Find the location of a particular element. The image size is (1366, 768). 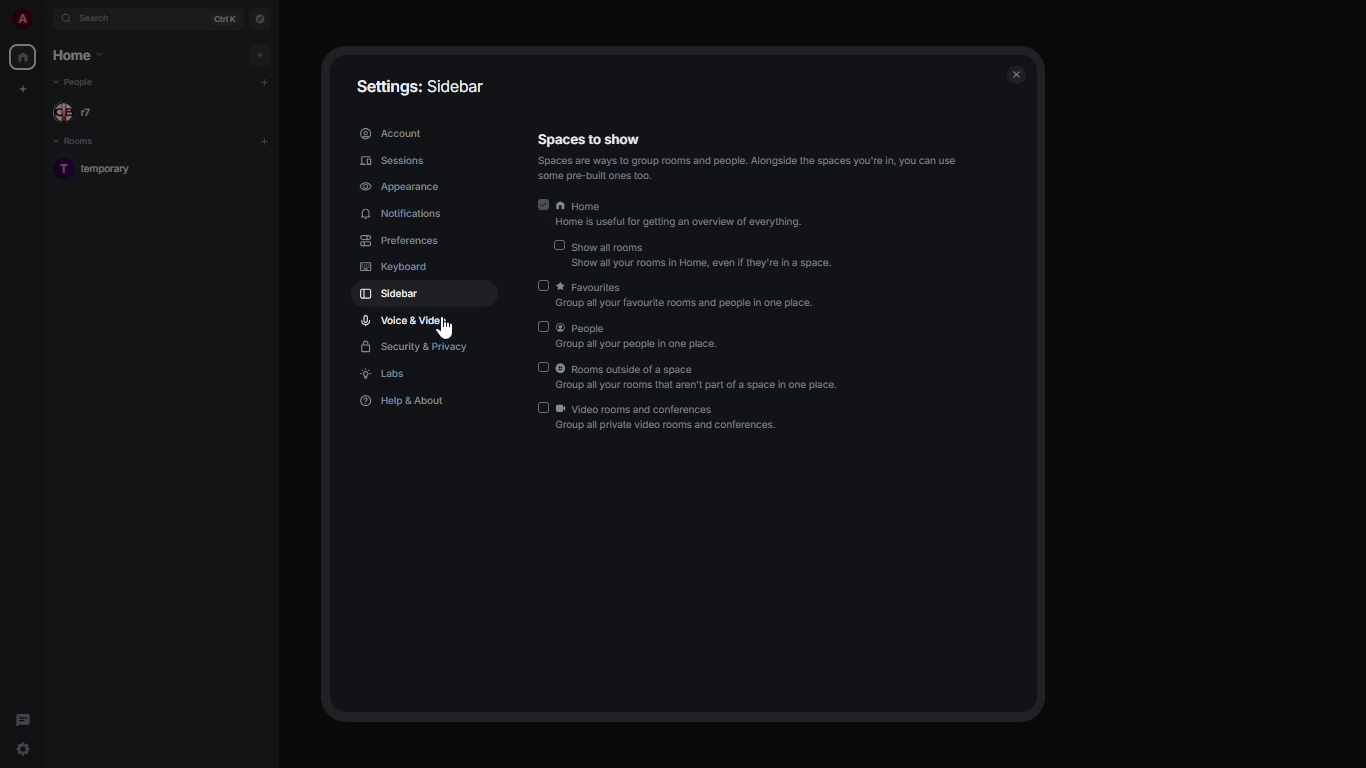

profile is located at coordinates (19, 19).